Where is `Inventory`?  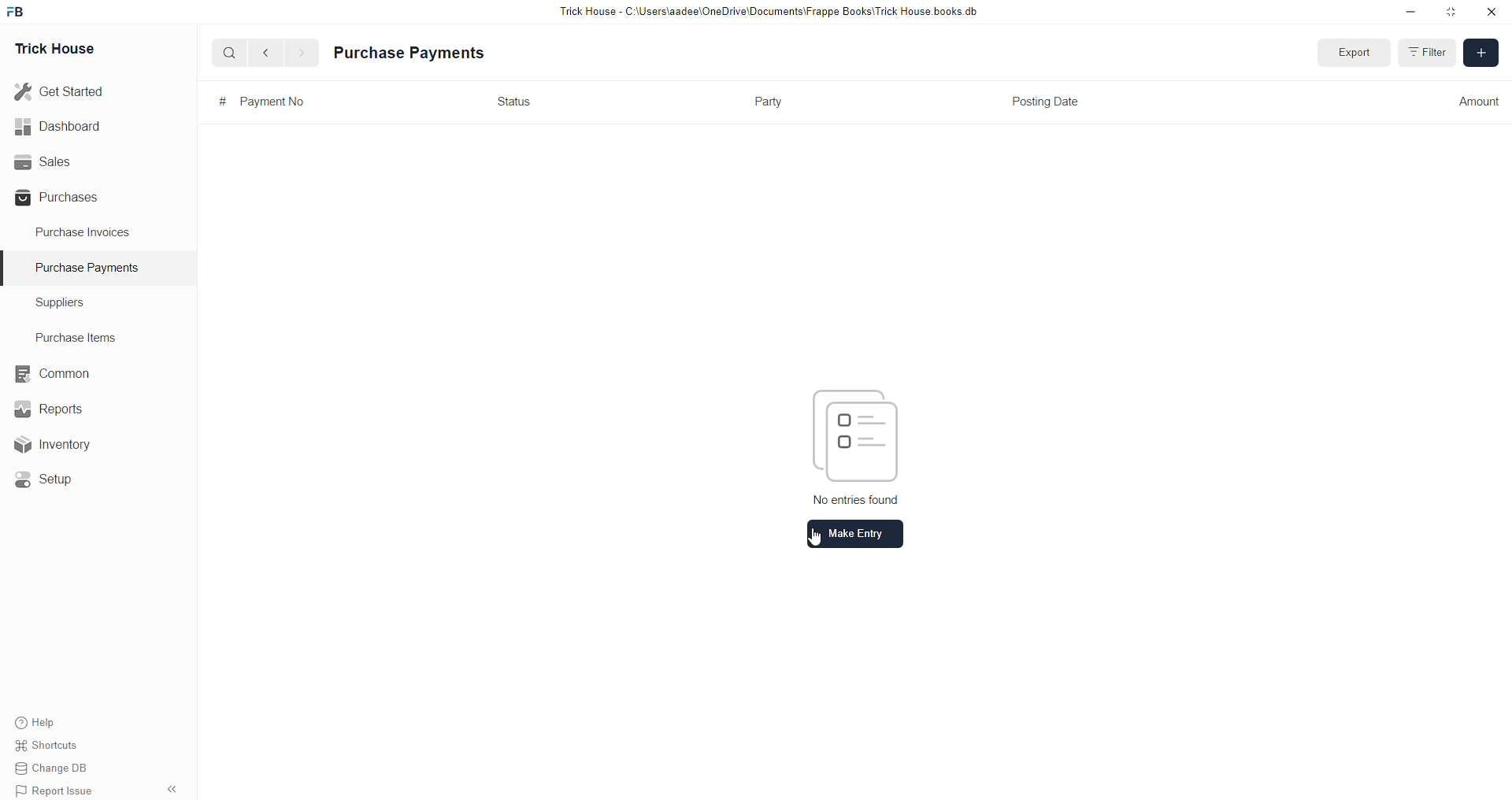 Inventory is located at coordinates (61, 448).